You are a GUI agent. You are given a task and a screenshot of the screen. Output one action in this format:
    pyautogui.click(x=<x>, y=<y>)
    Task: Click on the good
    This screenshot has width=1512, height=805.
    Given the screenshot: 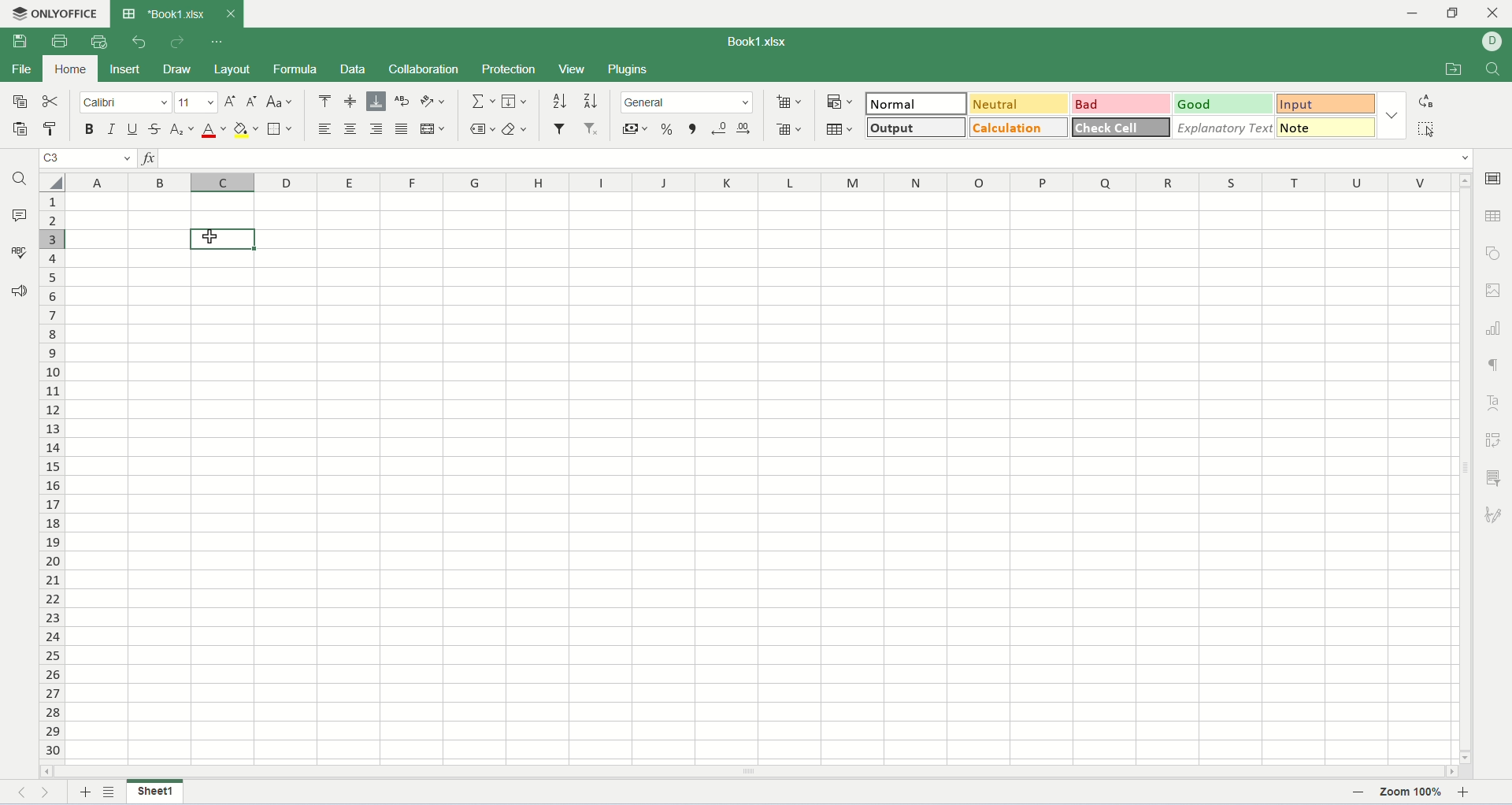 What is the action you would take?
    pyautogui.click(x=1223, y=104)
    